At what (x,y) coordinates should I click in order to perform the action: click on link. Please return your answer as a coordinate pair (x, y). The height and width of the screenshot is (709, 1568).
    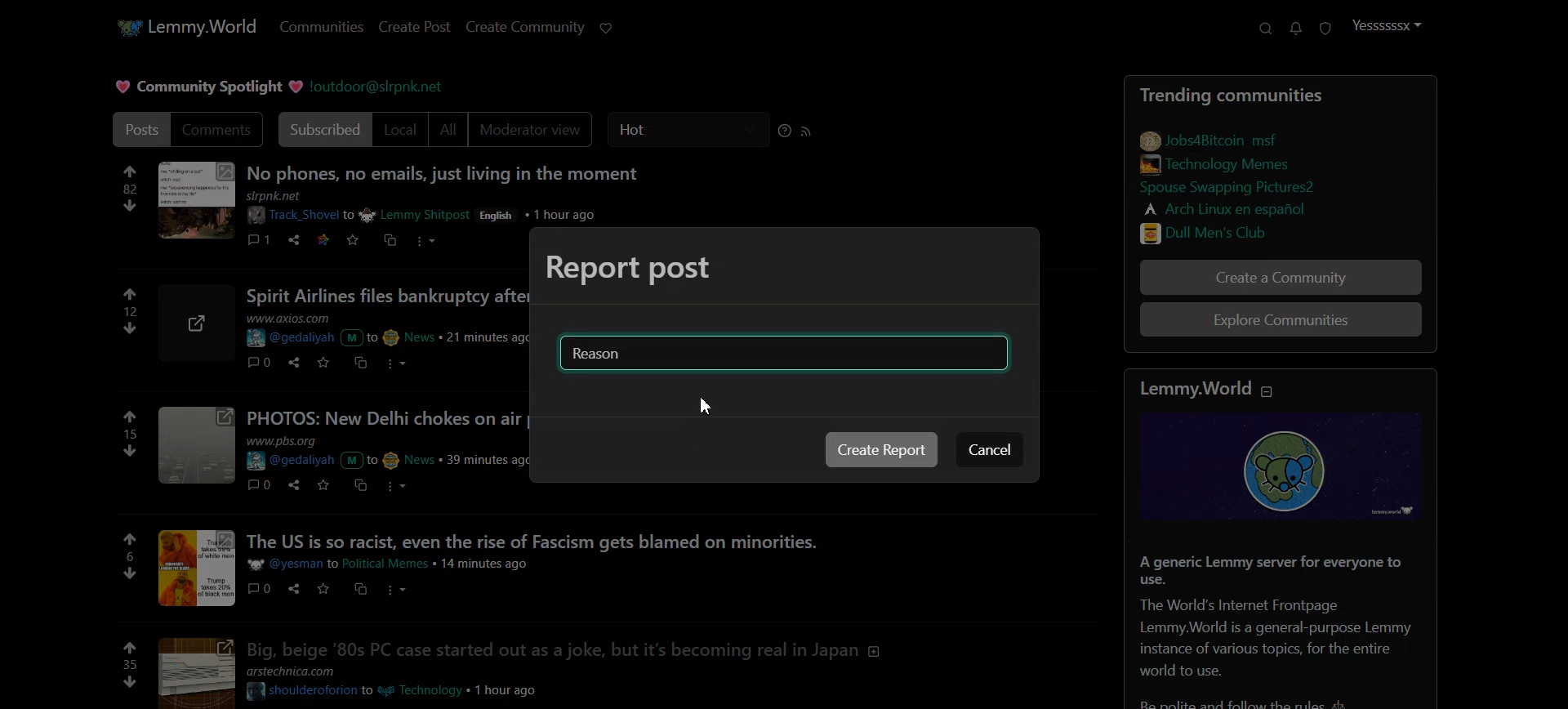
    Looking at the image, I should click on (321, 239).